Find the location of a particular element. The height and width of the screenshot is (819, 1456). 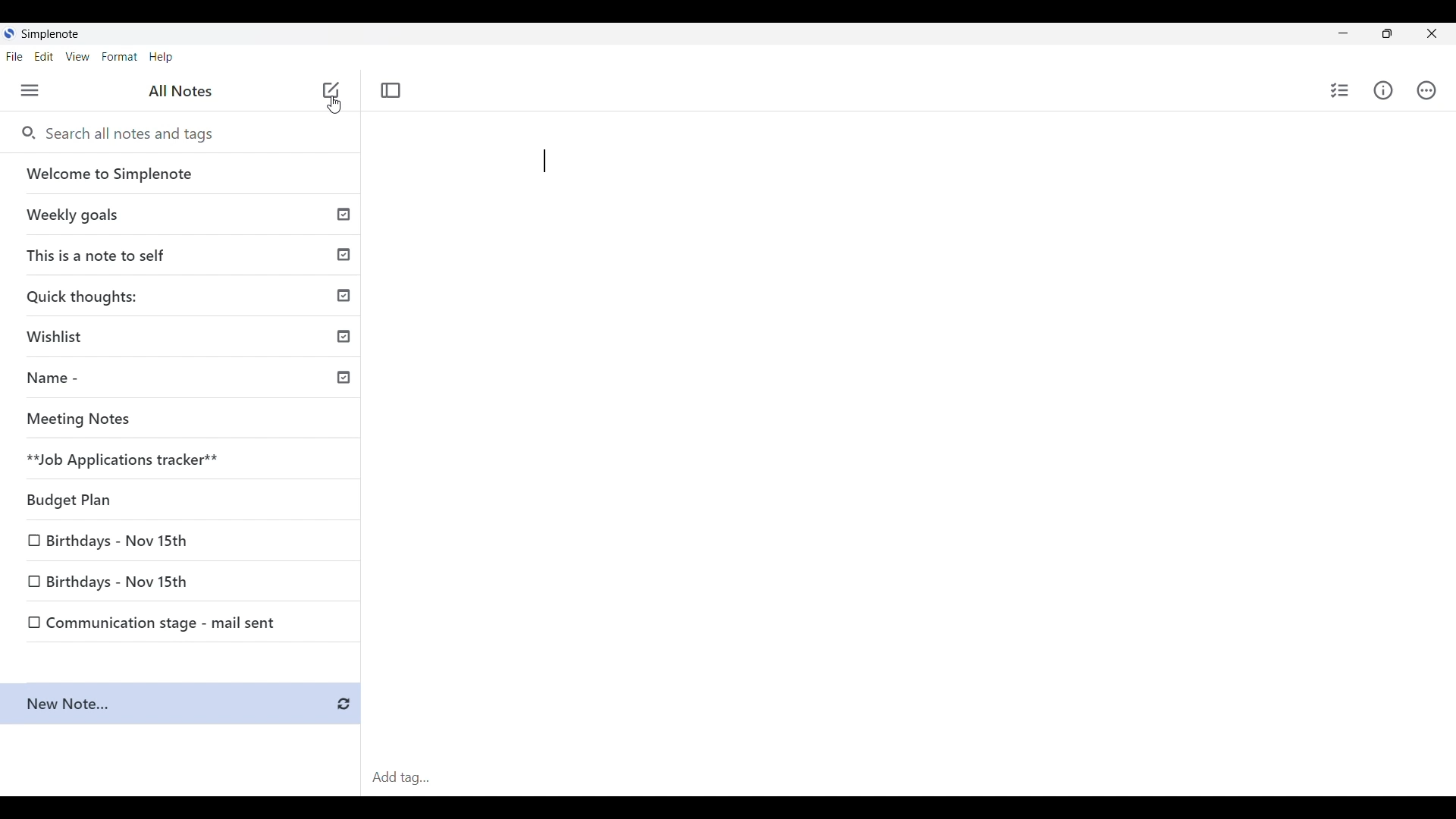

This is a note to self is located at coordinates (186, 256).